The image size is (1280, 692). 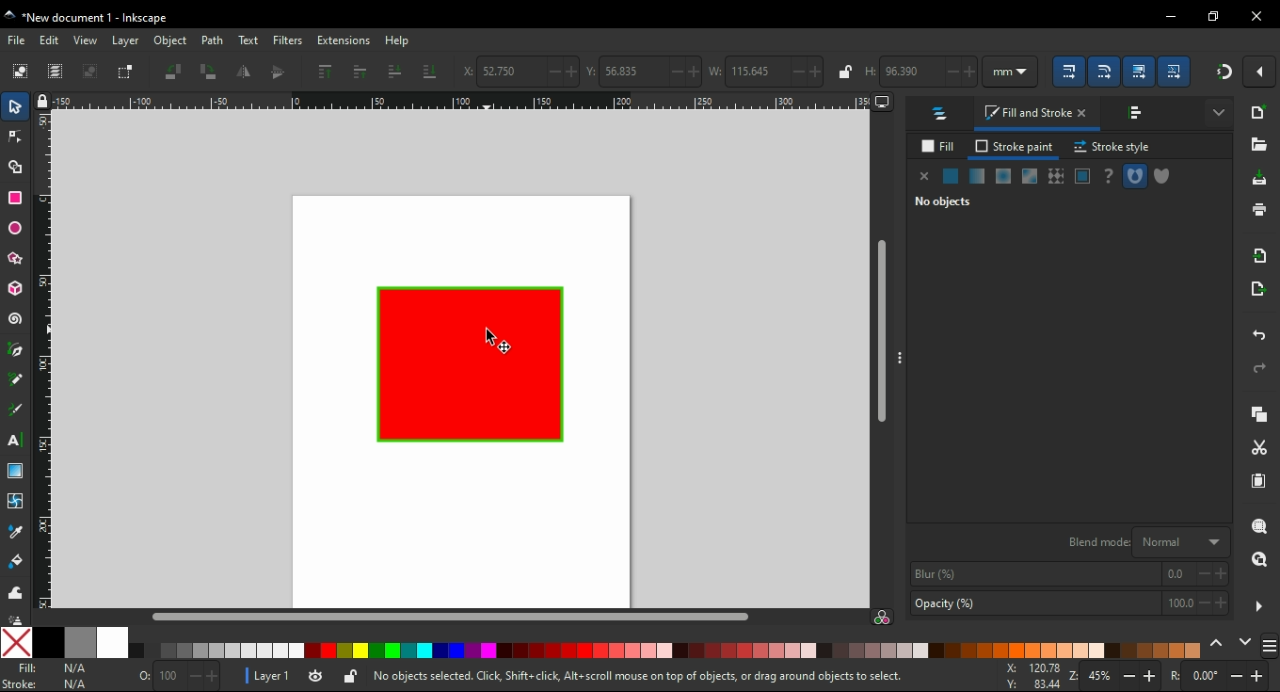 What do you see at coordinates (1260, 335) in the screenshot?
I see `undo` at bounding box center [1260, 335].